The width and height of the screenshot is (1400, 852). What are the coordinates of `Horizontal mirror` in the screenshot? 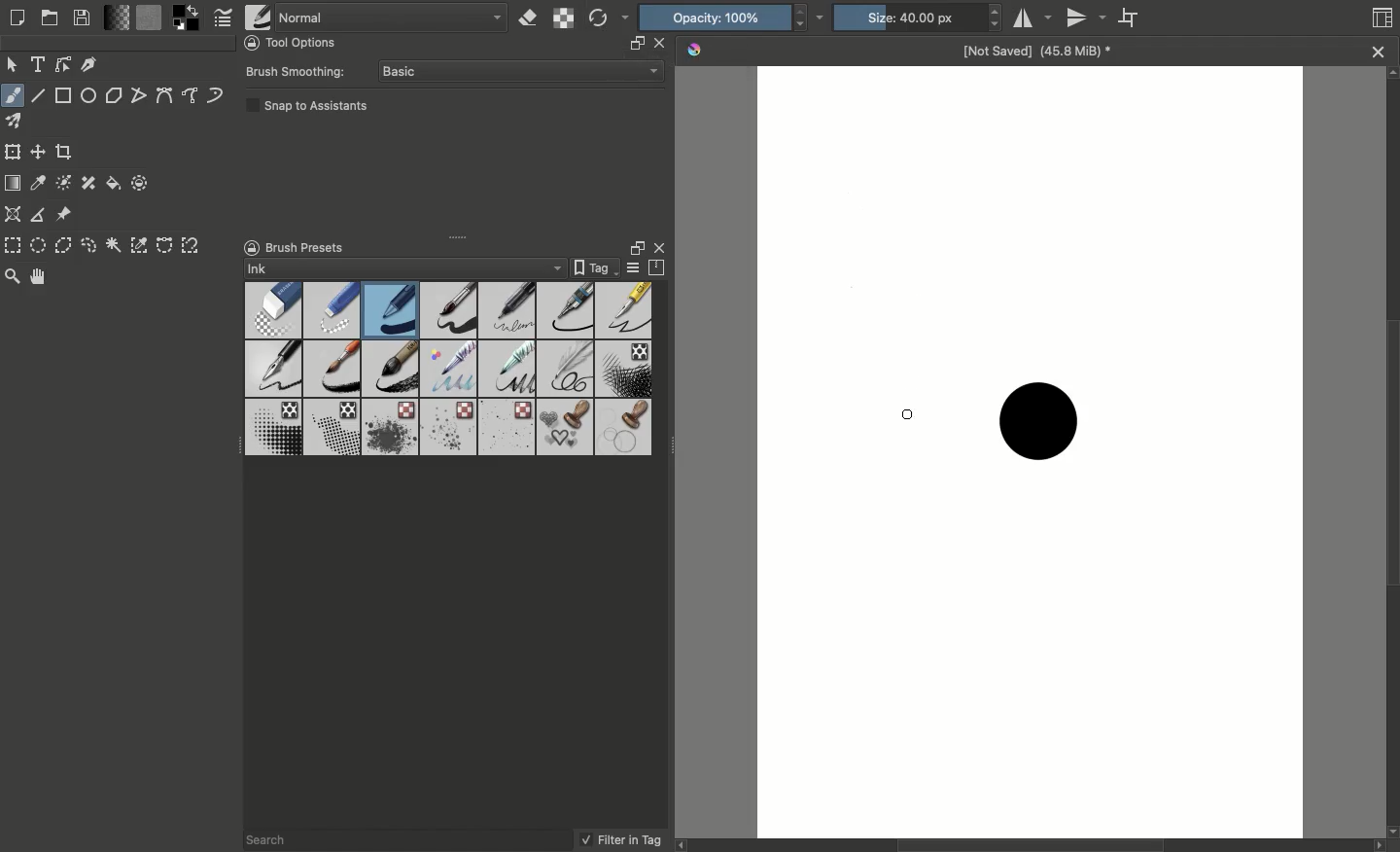 It's located at (1033, 19).